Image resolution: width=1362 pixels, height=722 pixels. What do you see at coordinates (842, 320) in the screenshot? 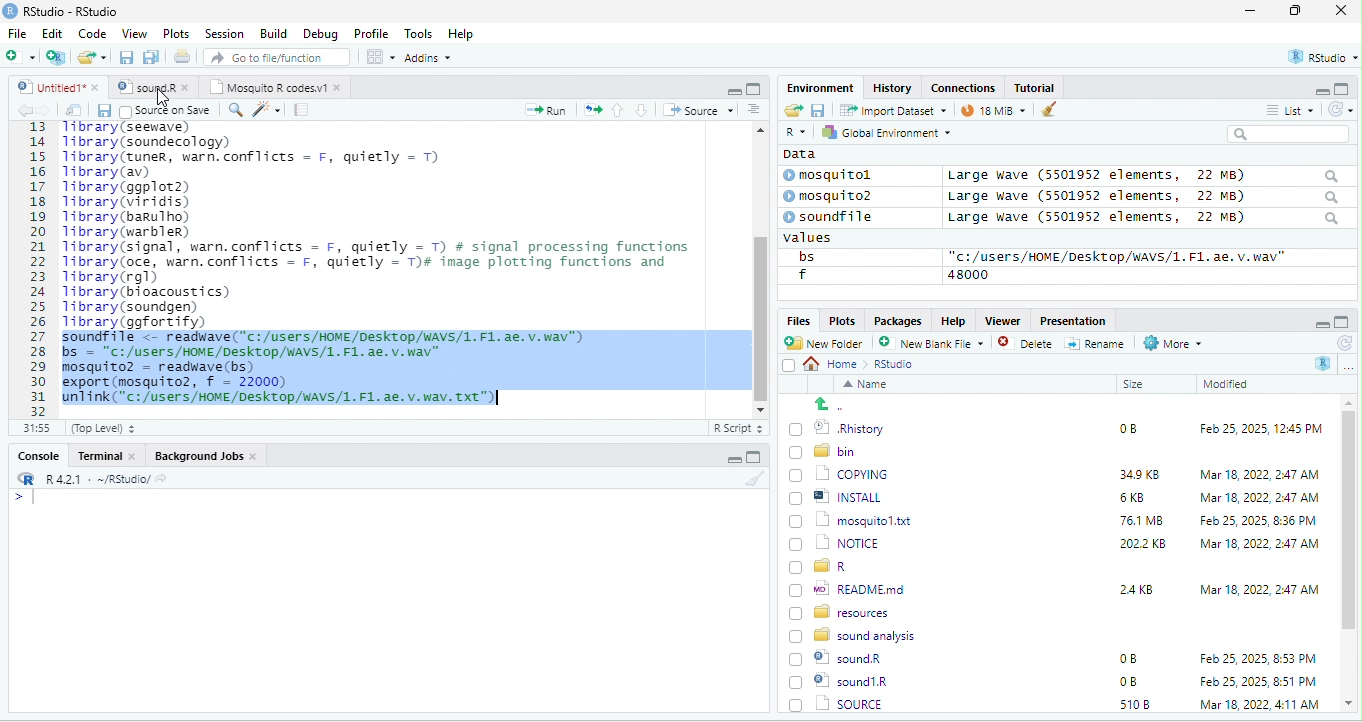
I see `Plots` at bounding box center [842, 320].